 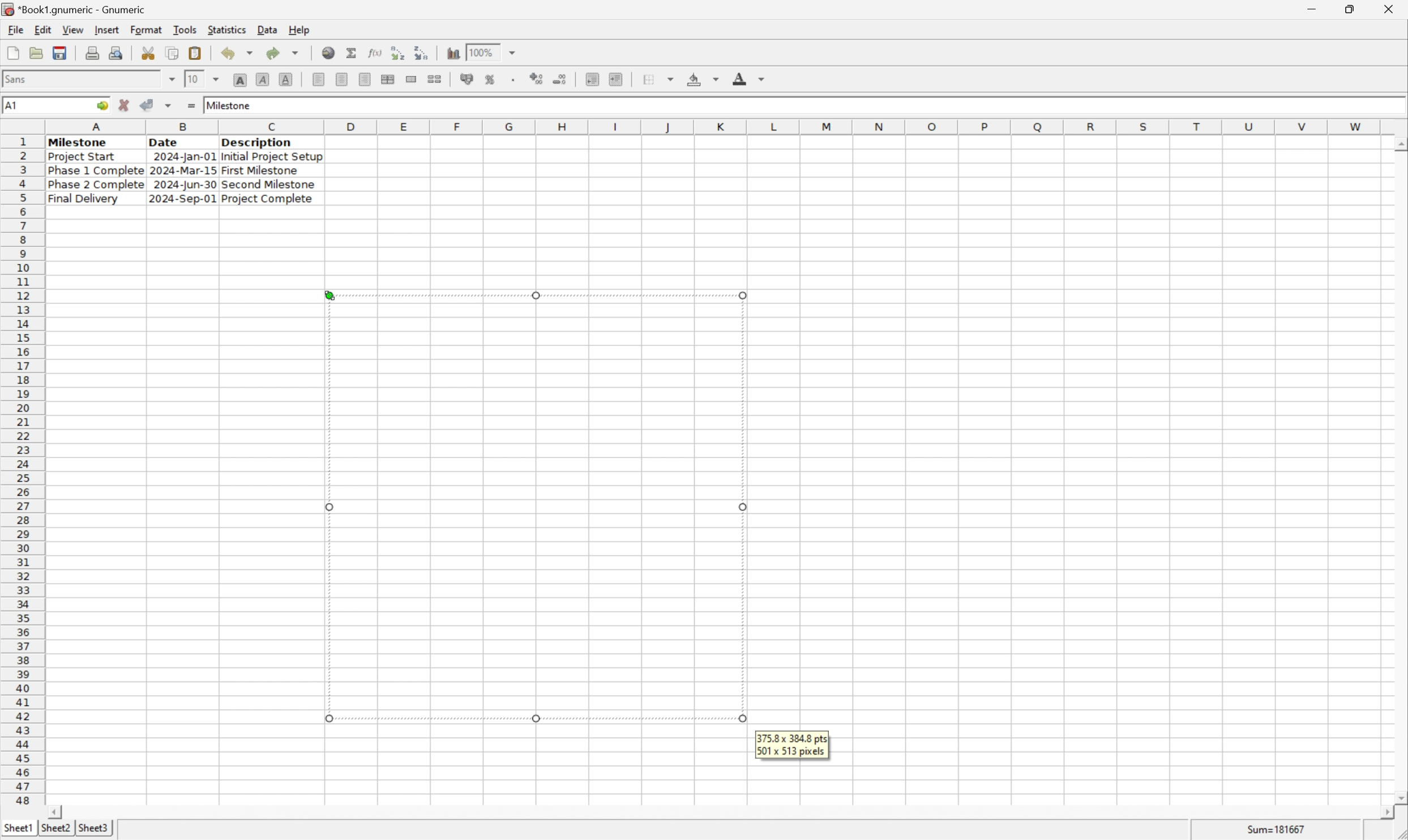 What do you see at coordinates (12, 54) in the screenshot?
I see `create a new workbook` at bounding box center [12, 54].